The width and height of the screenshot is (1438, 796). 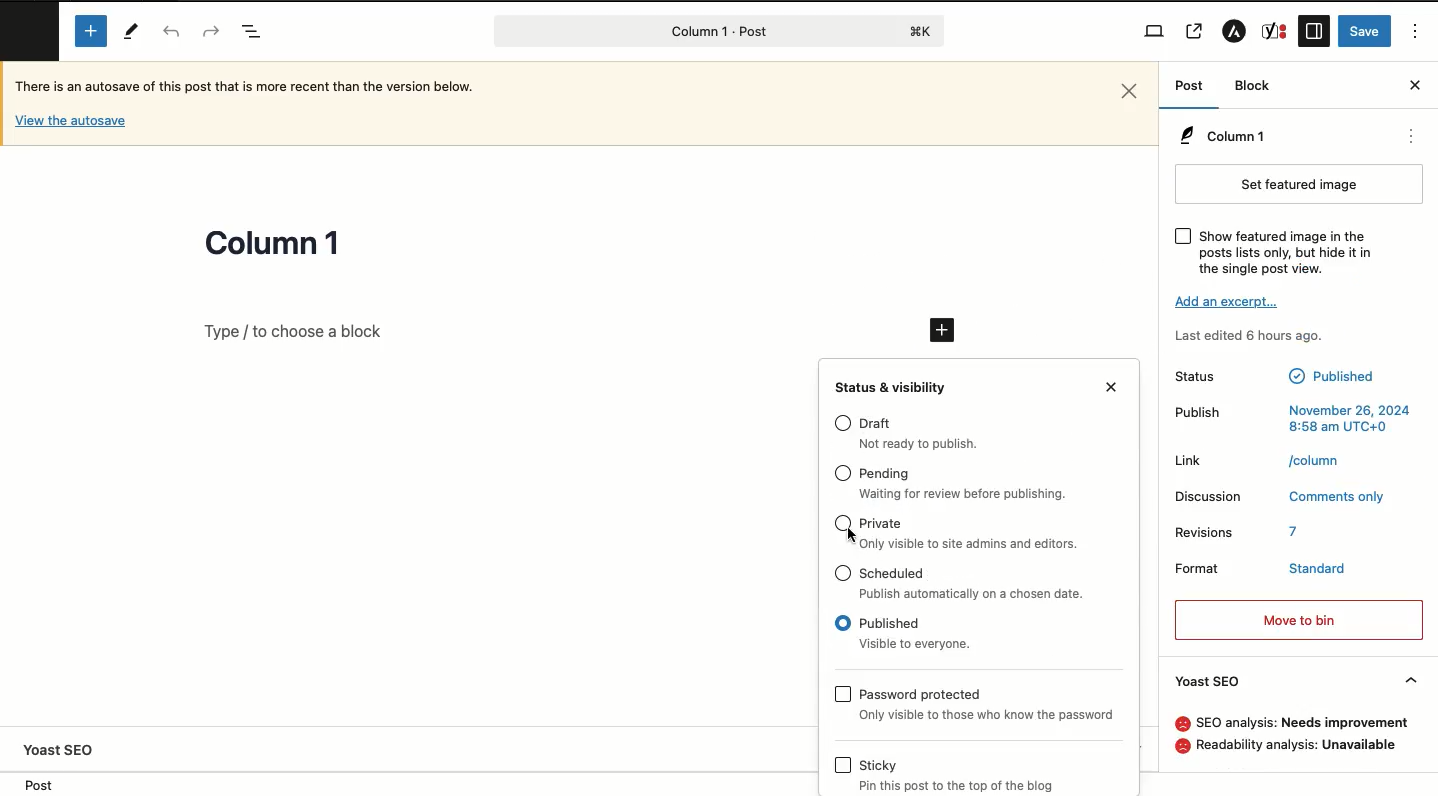 I want to click on Move to bin, so click(x=1300, y=620).